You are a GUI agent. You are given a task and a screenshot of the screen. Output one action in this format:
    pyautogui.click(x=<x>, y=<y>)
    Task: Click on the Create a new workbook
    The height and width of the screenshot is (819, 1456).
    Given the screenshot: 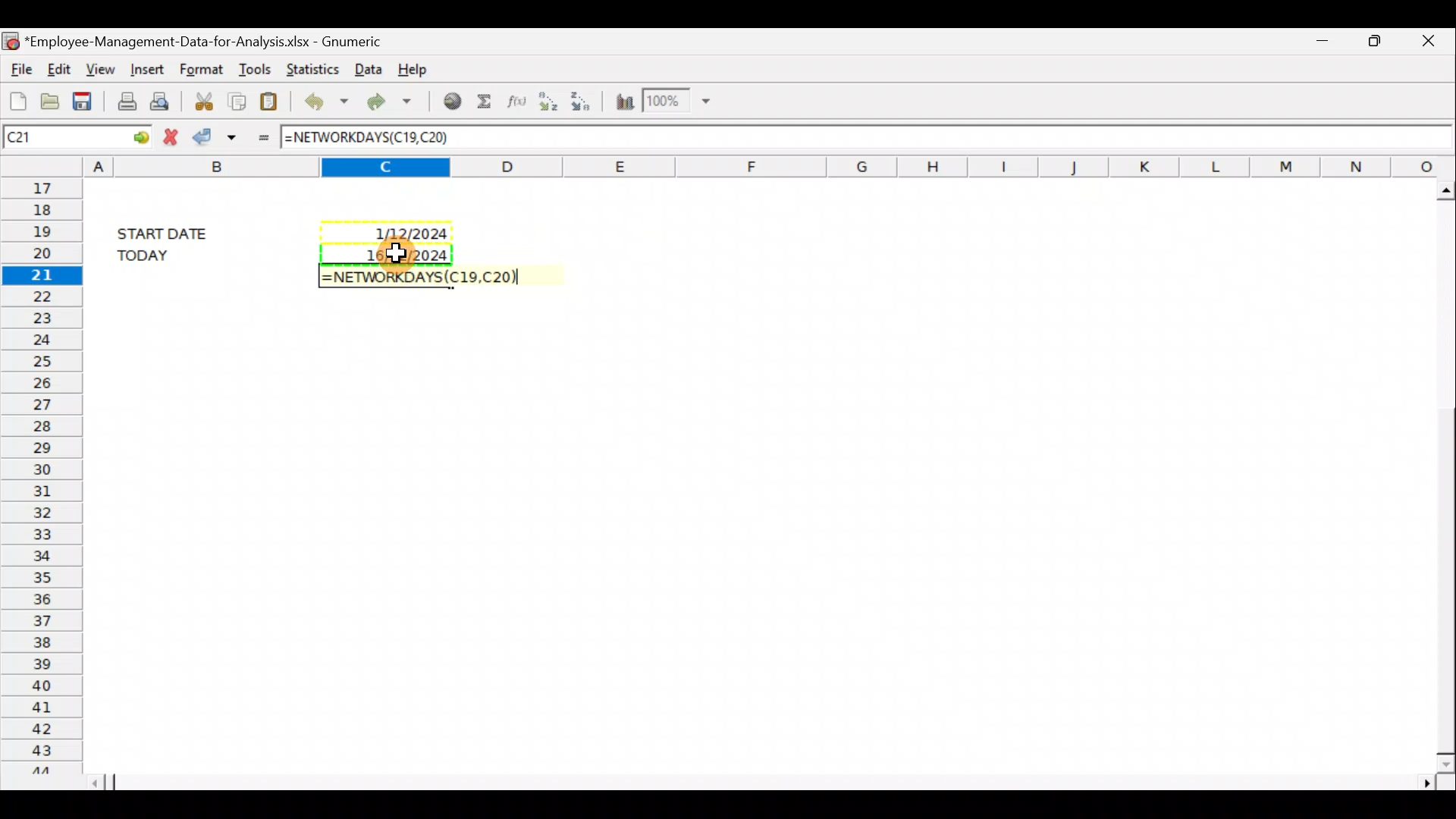 What is the action you would take?
    pyautogui.click(x=15, y=97)
    